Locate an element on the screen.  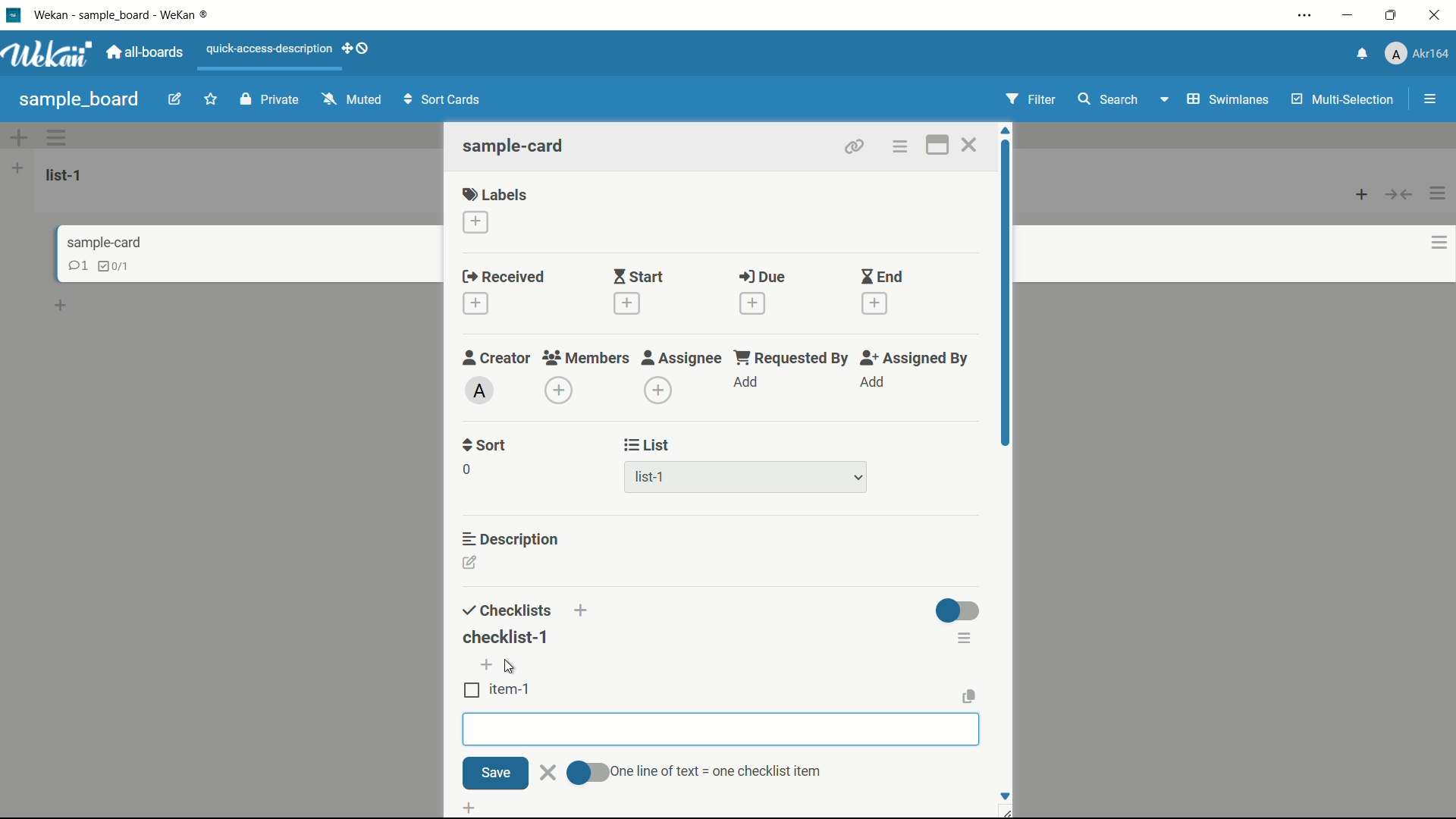
cursor is located at coordinates (510, 667).